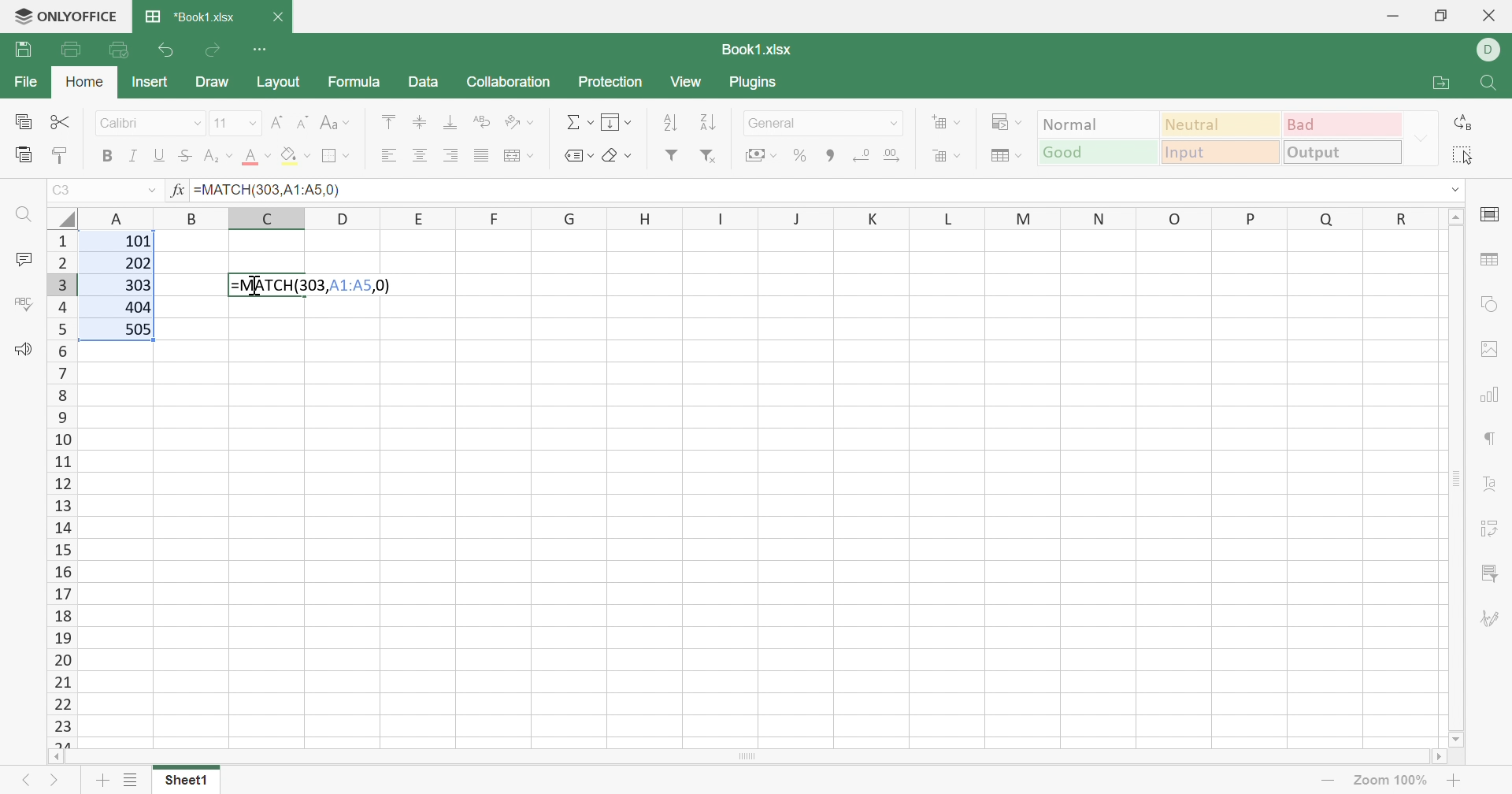 The width and height of the screenshot is (1512, 794). Describe the element at coordinates (22, 302) in the screenshot. I see `Spell checking` at that location.